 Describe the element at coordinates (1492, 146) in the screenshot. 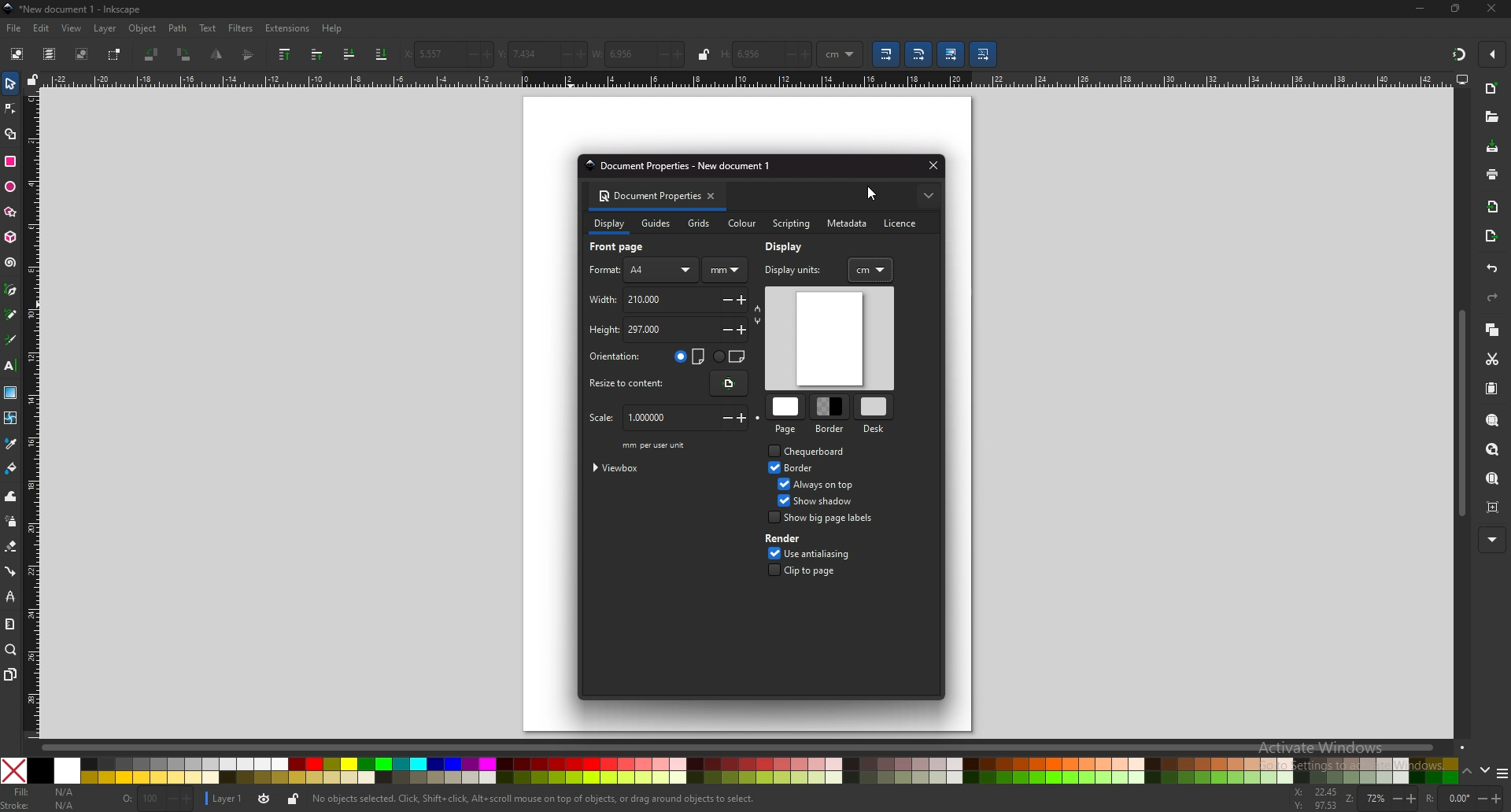

I see `save` at that location.